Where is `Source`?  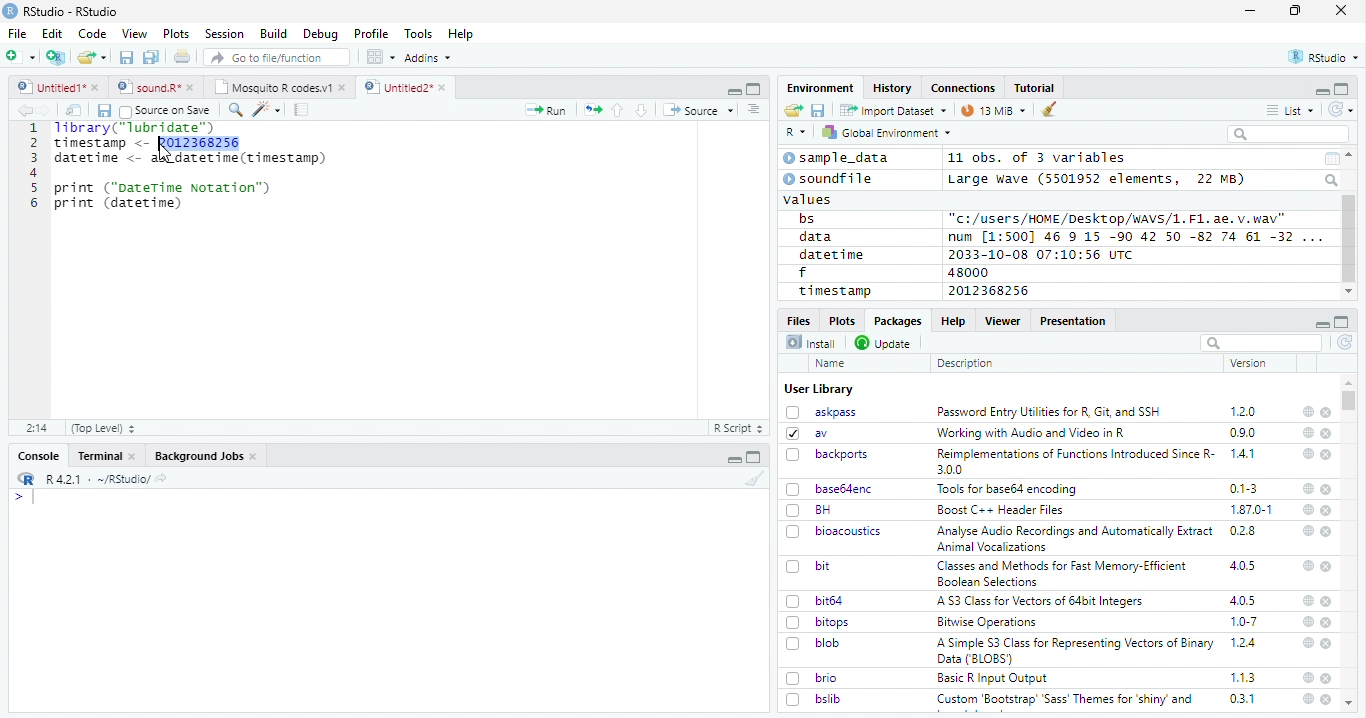
Source is located at coordinates (698, 112).